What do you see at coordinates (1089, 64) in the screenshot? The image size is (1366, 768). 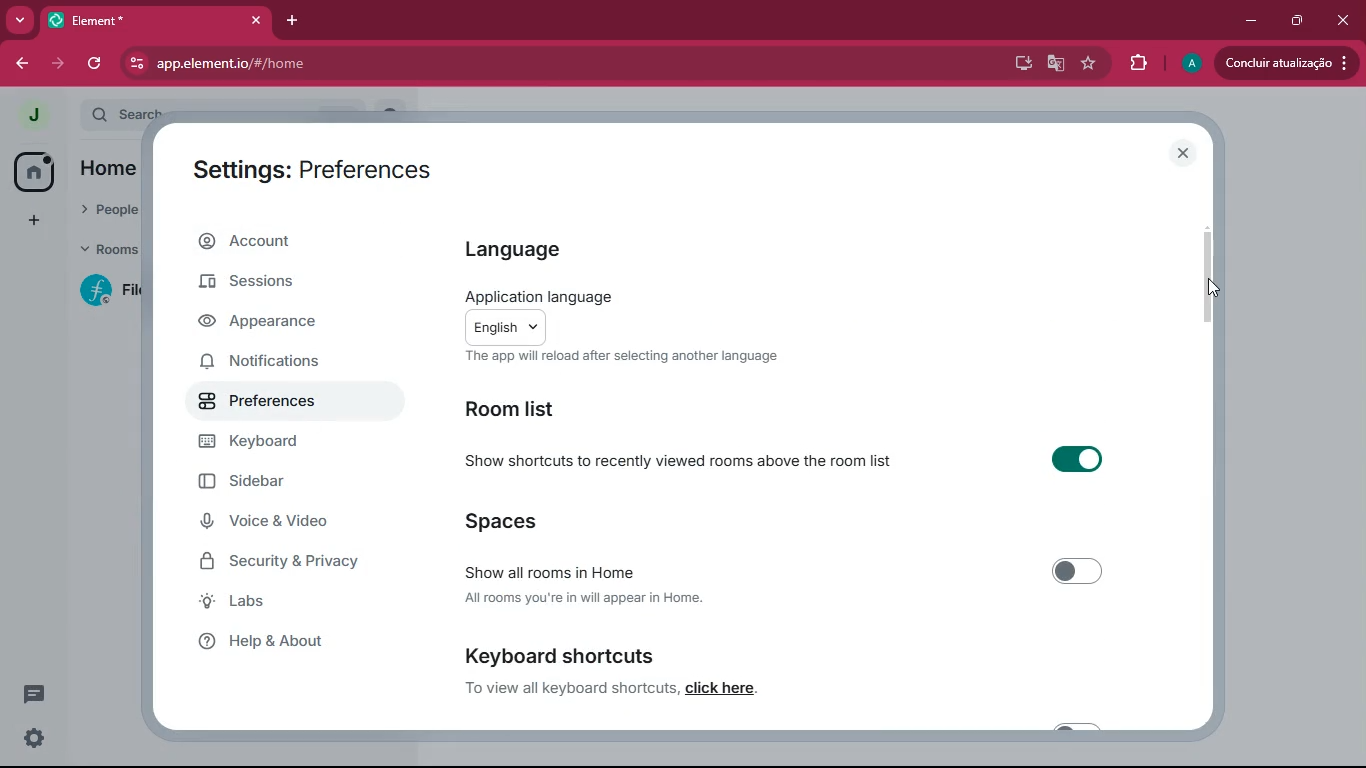 I see `favourite` at bounding box center [1089, 64].